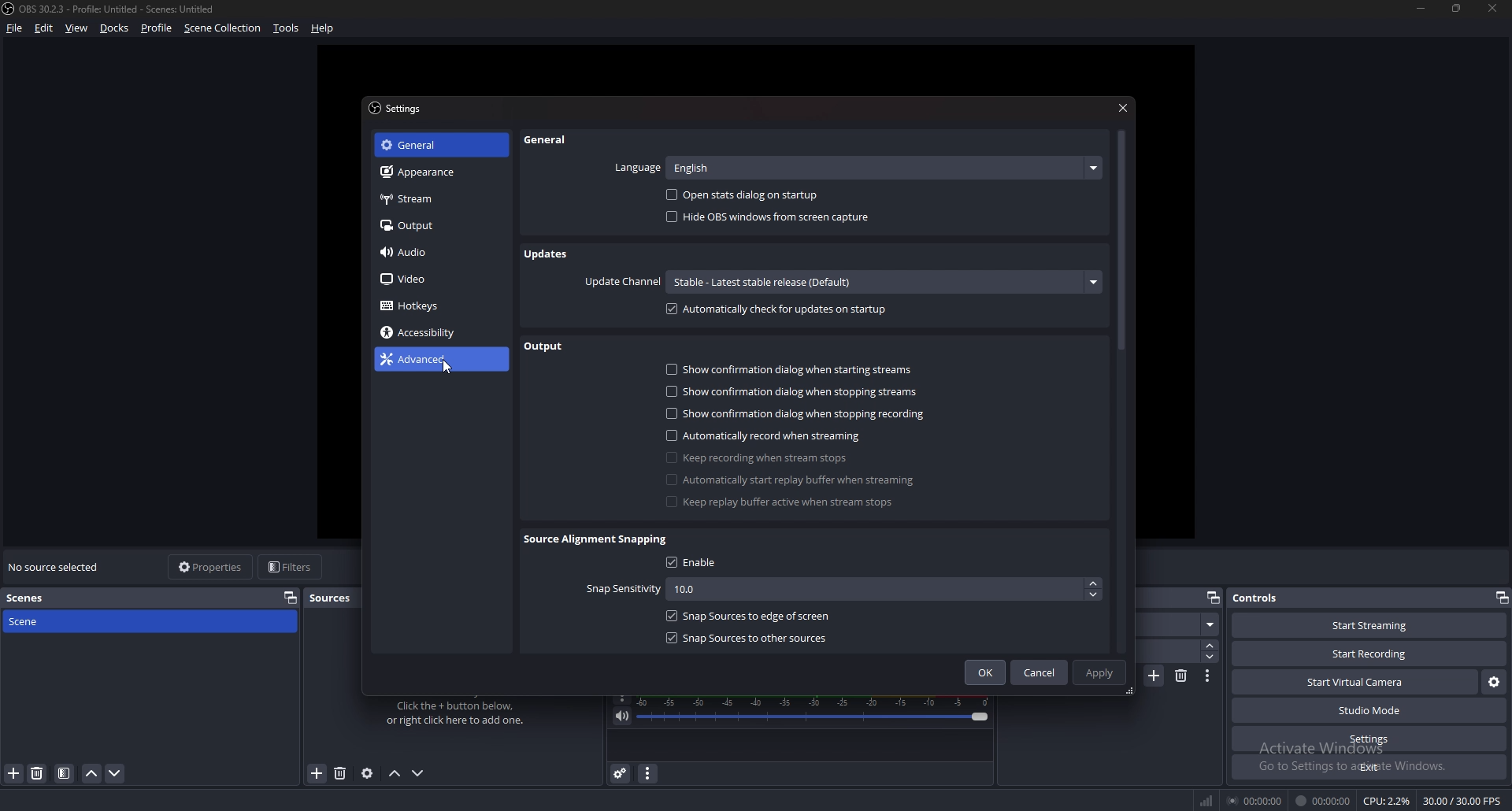 This screenshot has width=1512, height=811. I want to click on ok, so click(986, 672).